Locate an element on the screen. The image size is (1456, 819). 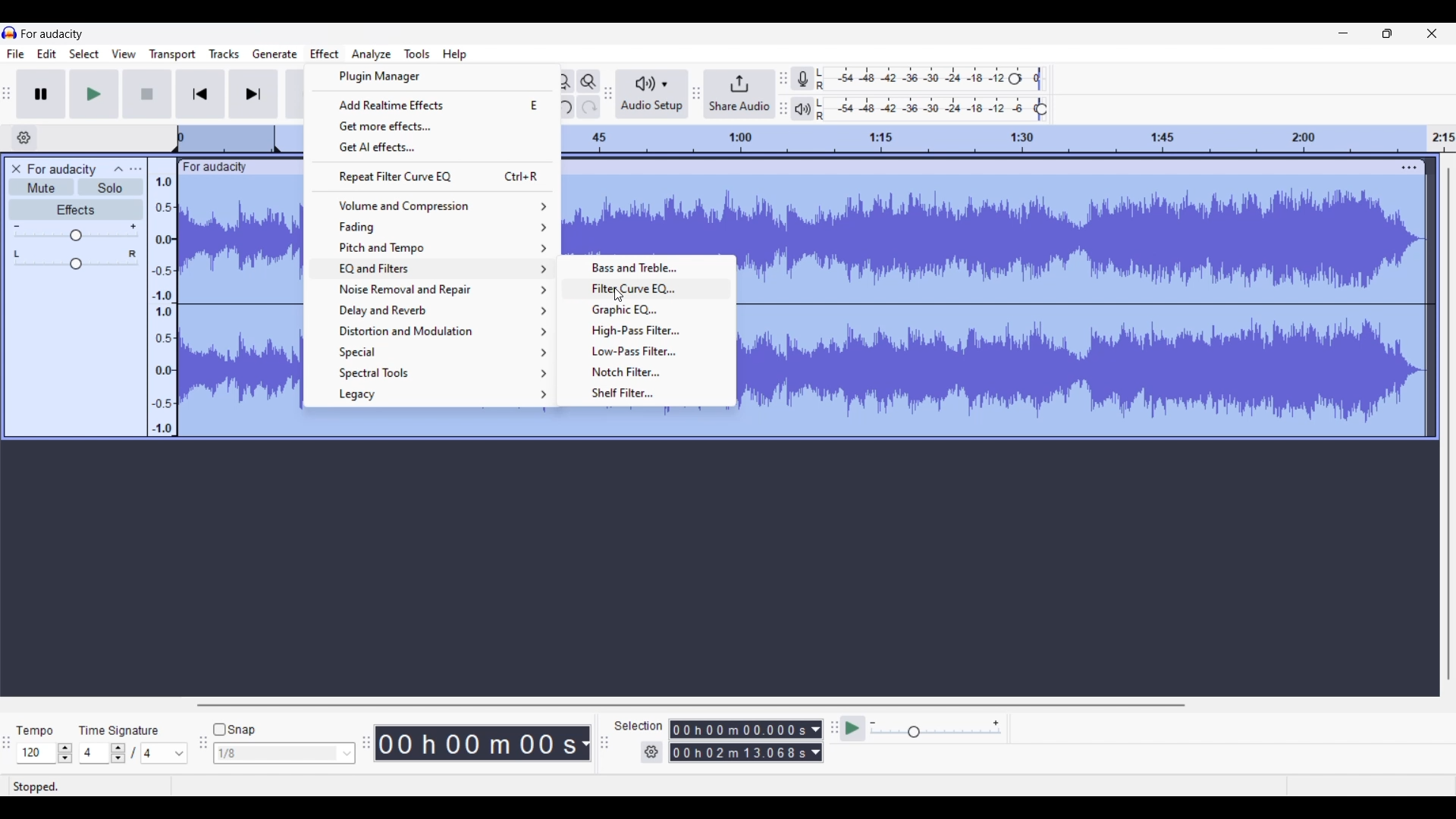
Audio track name is located at coordinates (62, 170).